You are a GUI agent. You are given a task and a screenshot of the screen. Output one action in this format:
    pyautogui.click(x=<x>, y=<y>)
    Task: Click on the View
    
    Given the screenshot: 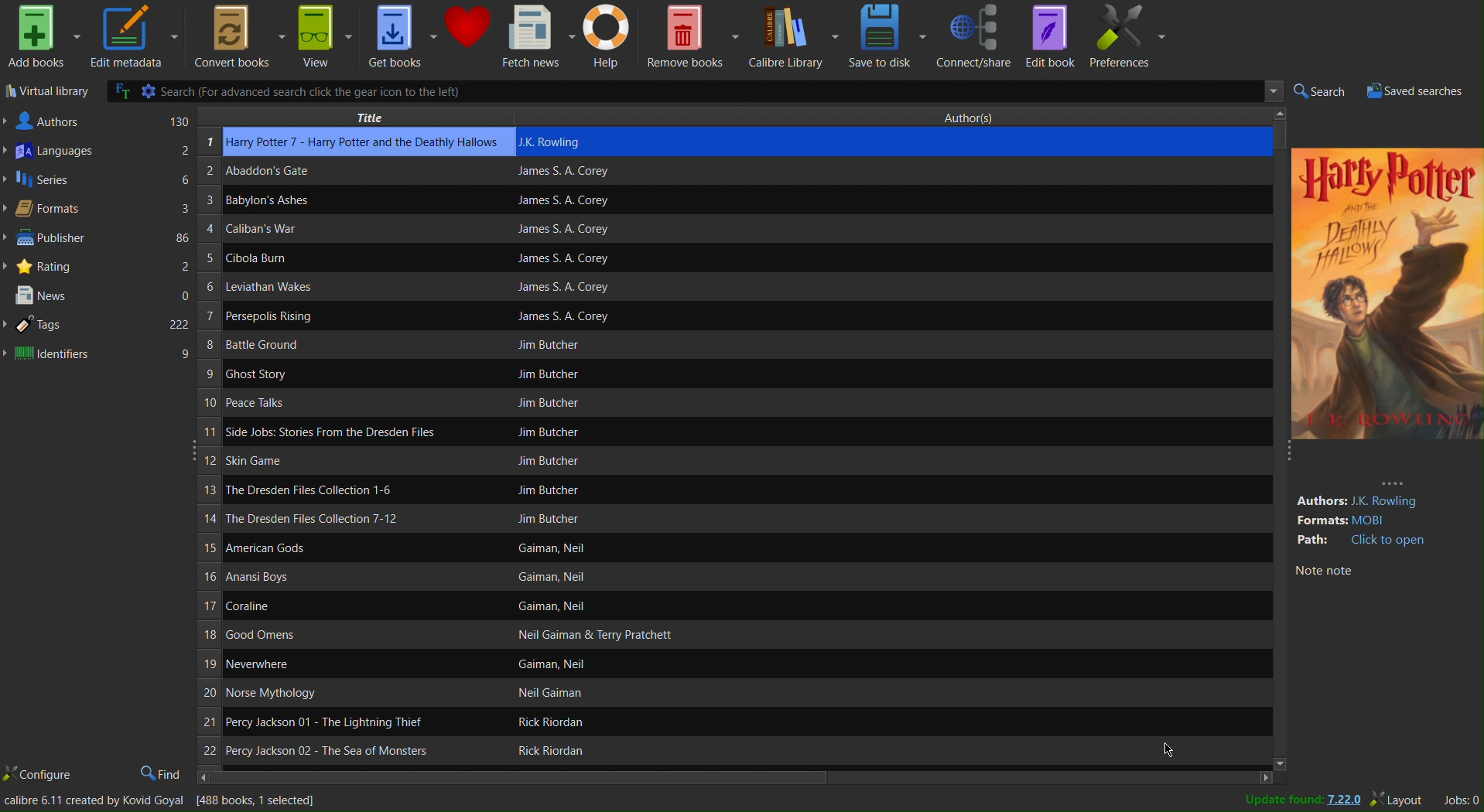 What is the action you would take?
    pyautogui.click(x=325, y=36)
    